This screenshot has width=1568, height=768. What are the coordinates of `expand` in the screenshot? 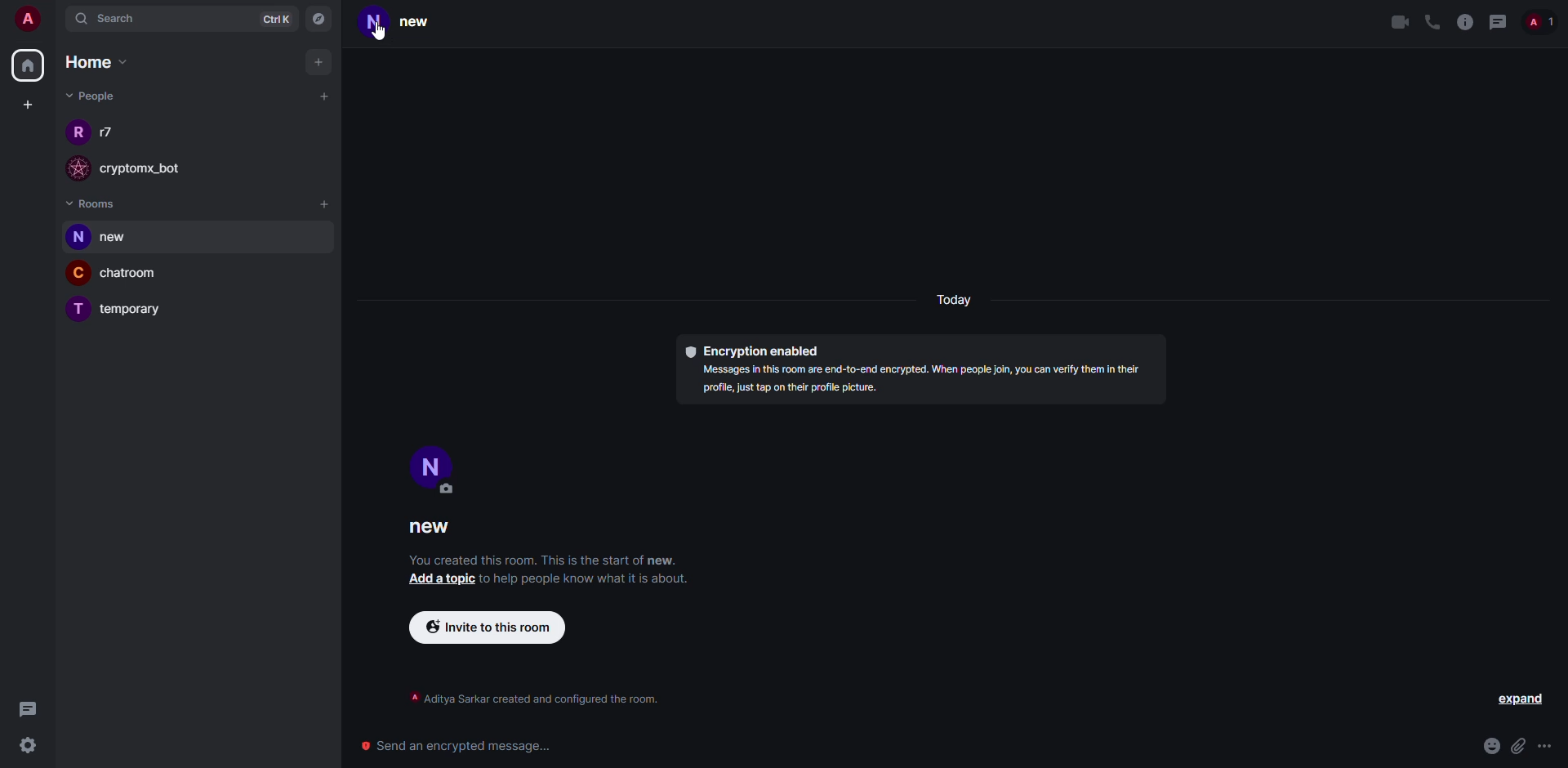 It's located at (1520, 700).